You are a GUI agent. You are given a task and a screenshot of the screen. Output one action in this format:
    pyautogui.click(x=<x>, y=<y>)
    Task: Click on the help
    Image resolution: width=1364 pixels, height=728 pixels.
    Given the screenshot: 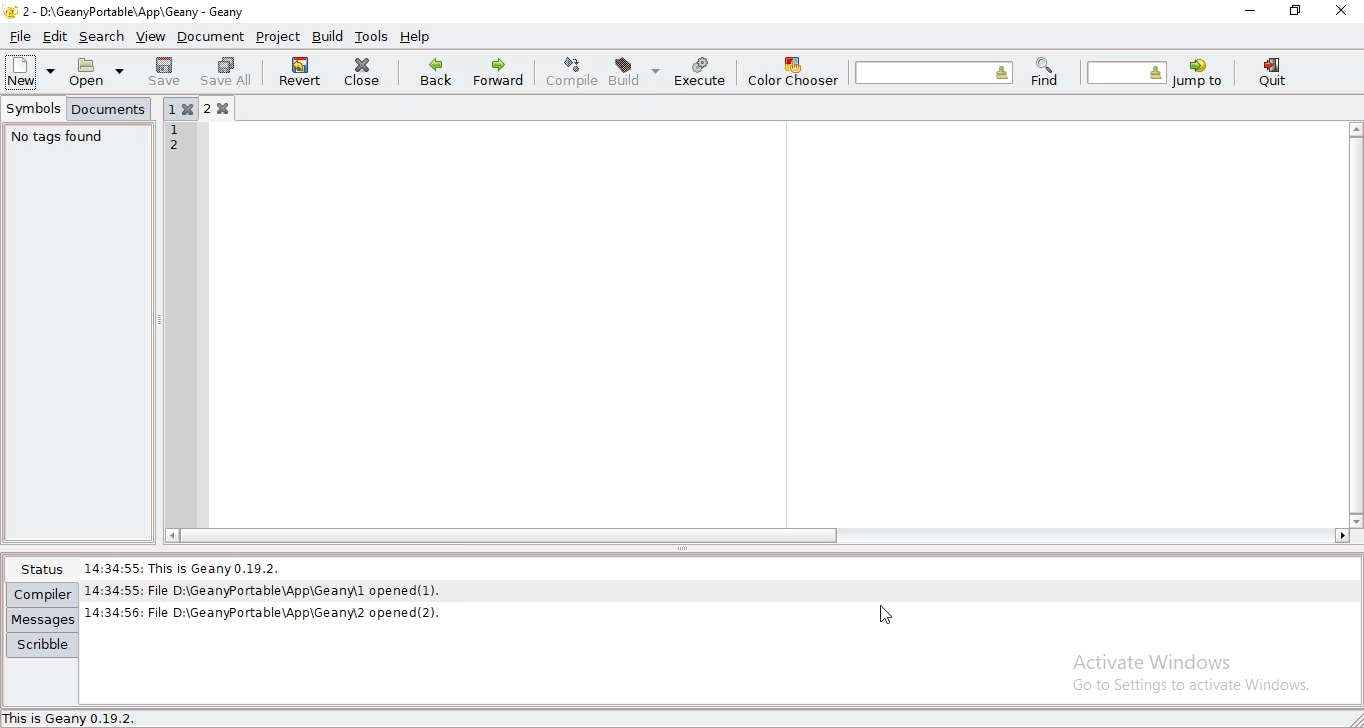 What is the action you would take?
    pyautogui.click(x=415, y=36)
    